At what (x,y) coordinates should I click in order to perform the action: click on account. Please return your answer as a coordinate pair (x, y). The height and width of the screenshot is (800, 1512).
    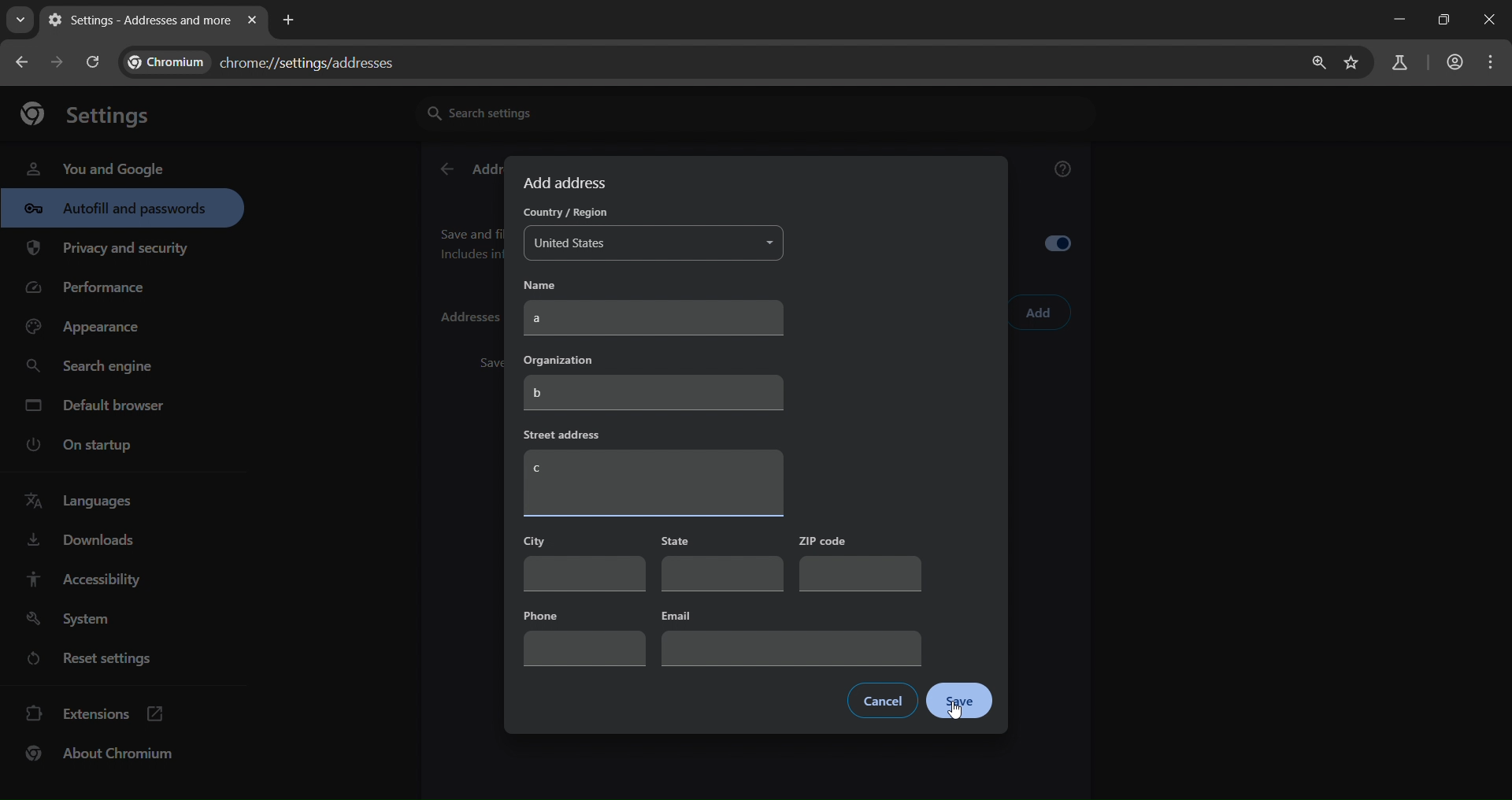
    Looking at the image, I should click on (1452, 64).